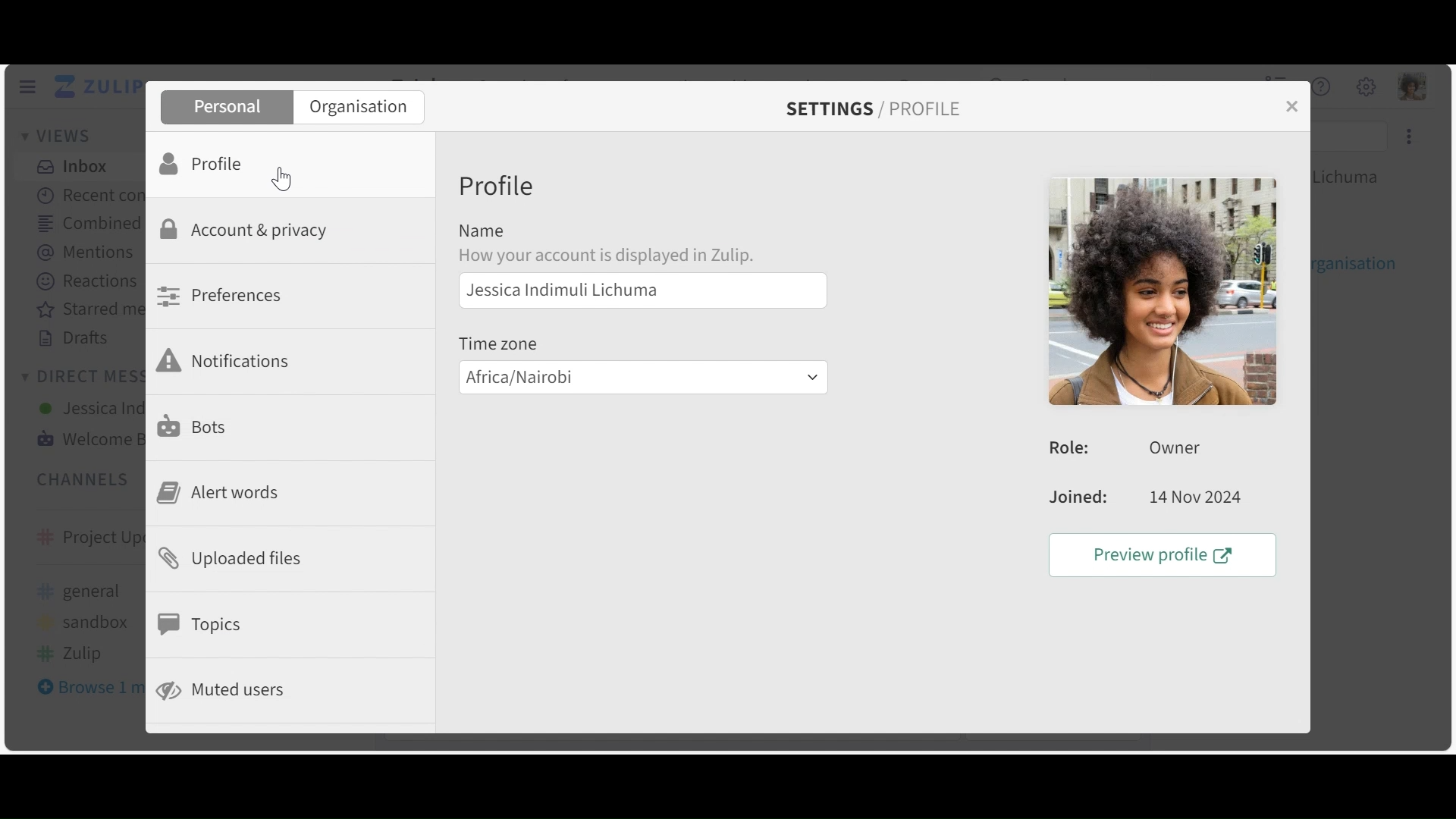 This screenshot has width=1456, height=819. What do you see at coordinates (1148, 449) in the screenshot?
I see `Role` at bounding box center [1148, 449].